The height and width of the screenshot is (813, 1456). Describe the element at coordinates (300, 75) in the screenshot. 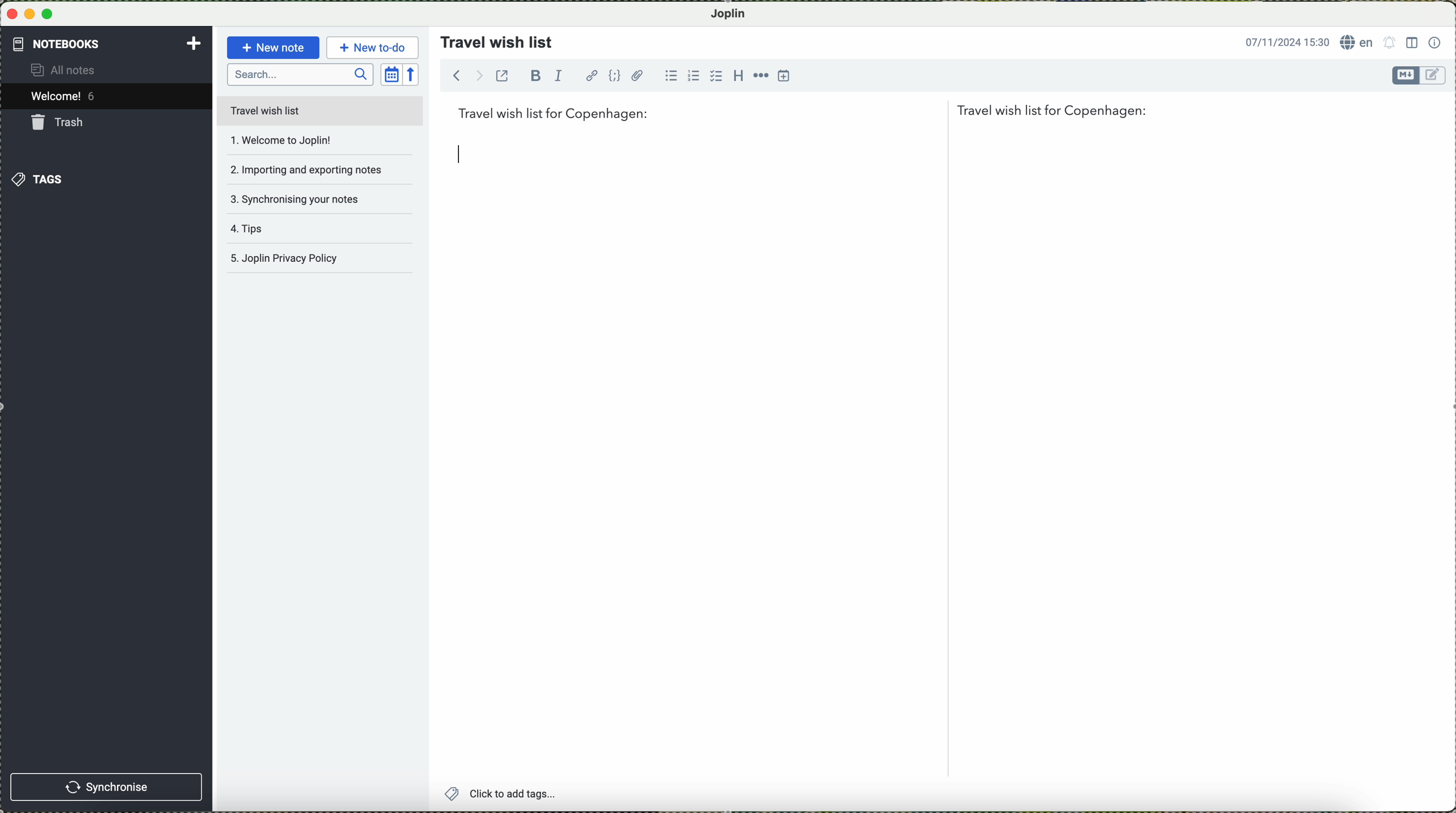

I see `search bar` at that location.